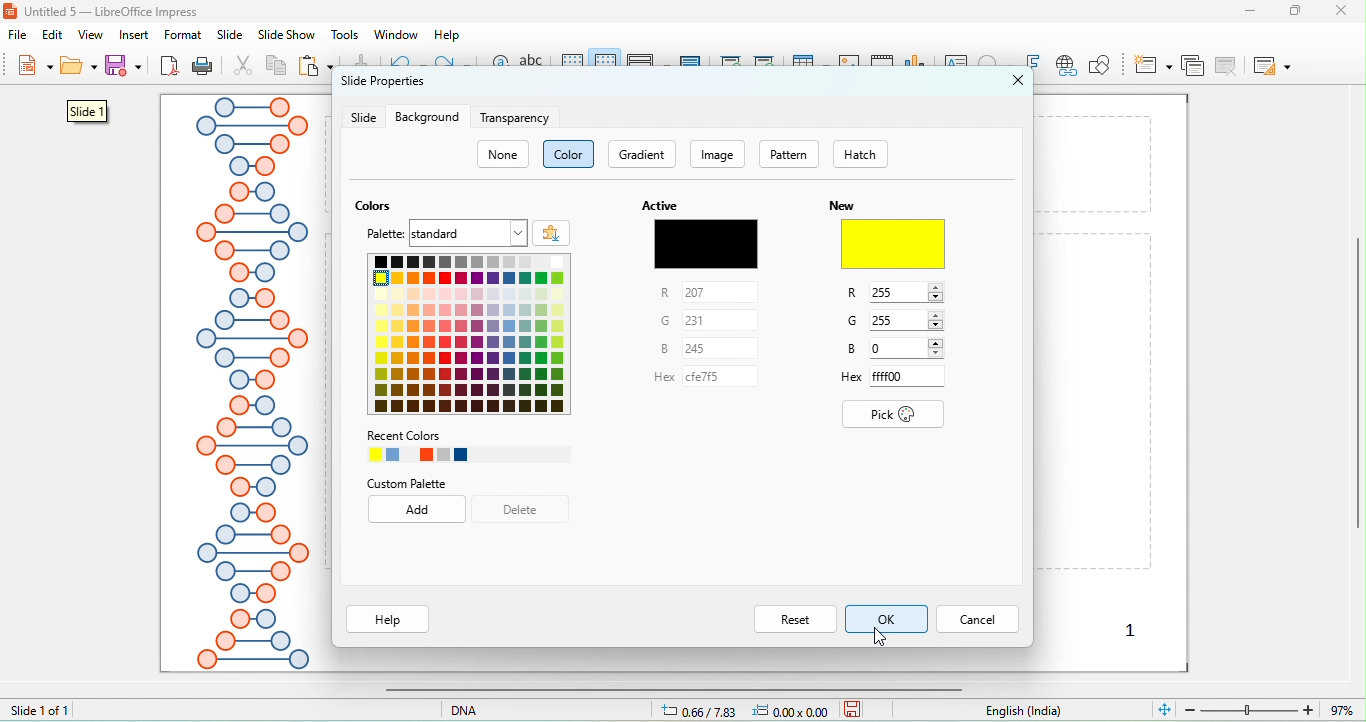  What do you see at coordinates (750, 710) in the screenshot?
I see `cursor position changed` at bounding box center [750, 710].